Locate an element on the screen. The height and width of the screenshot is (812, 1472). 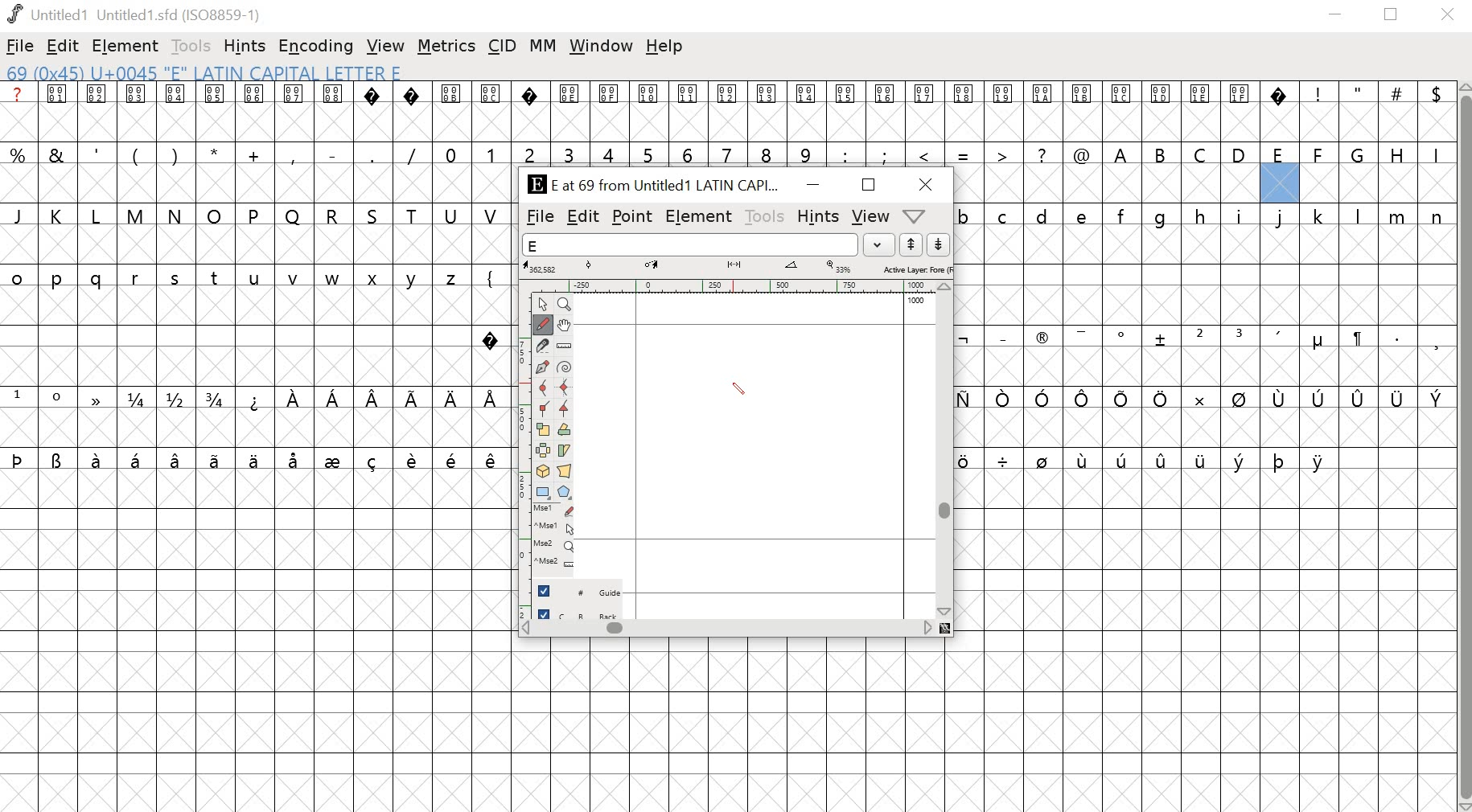
scrollbar is located at coordinates (948, 450).